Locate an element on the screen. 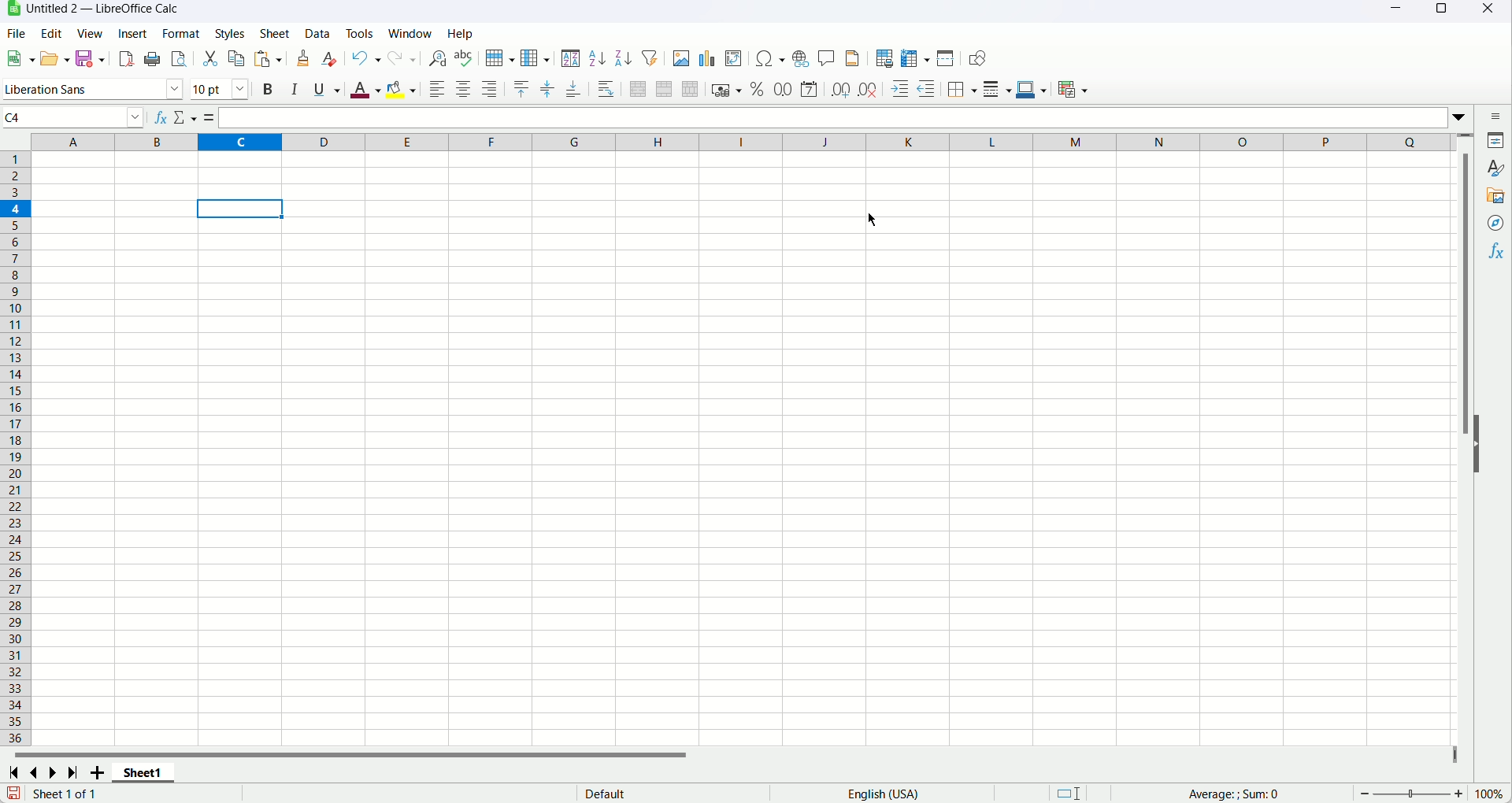  Window is located at coordinates (410, 33).